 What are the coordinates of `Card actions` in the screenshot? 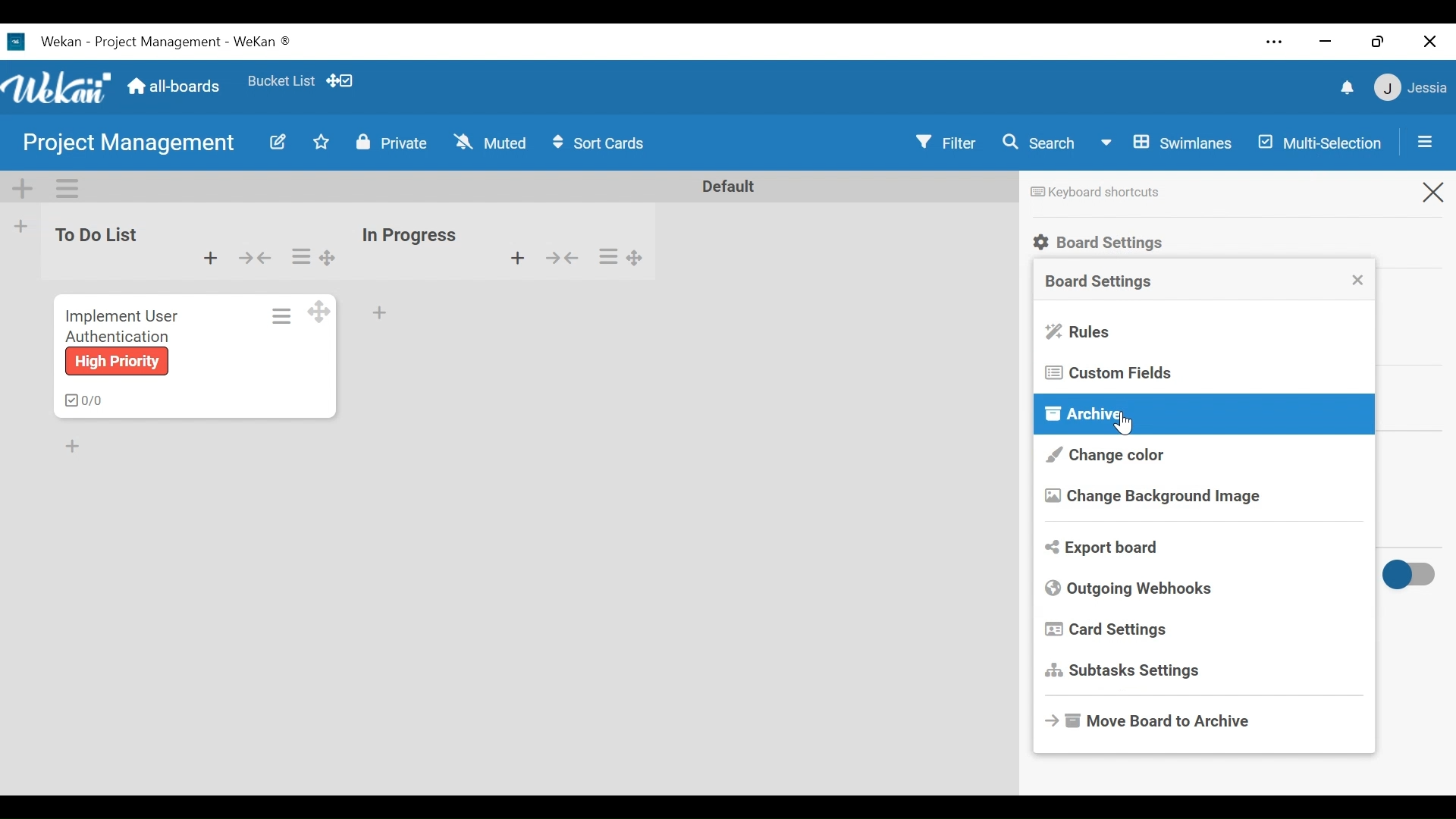 It's located at (281, 315).